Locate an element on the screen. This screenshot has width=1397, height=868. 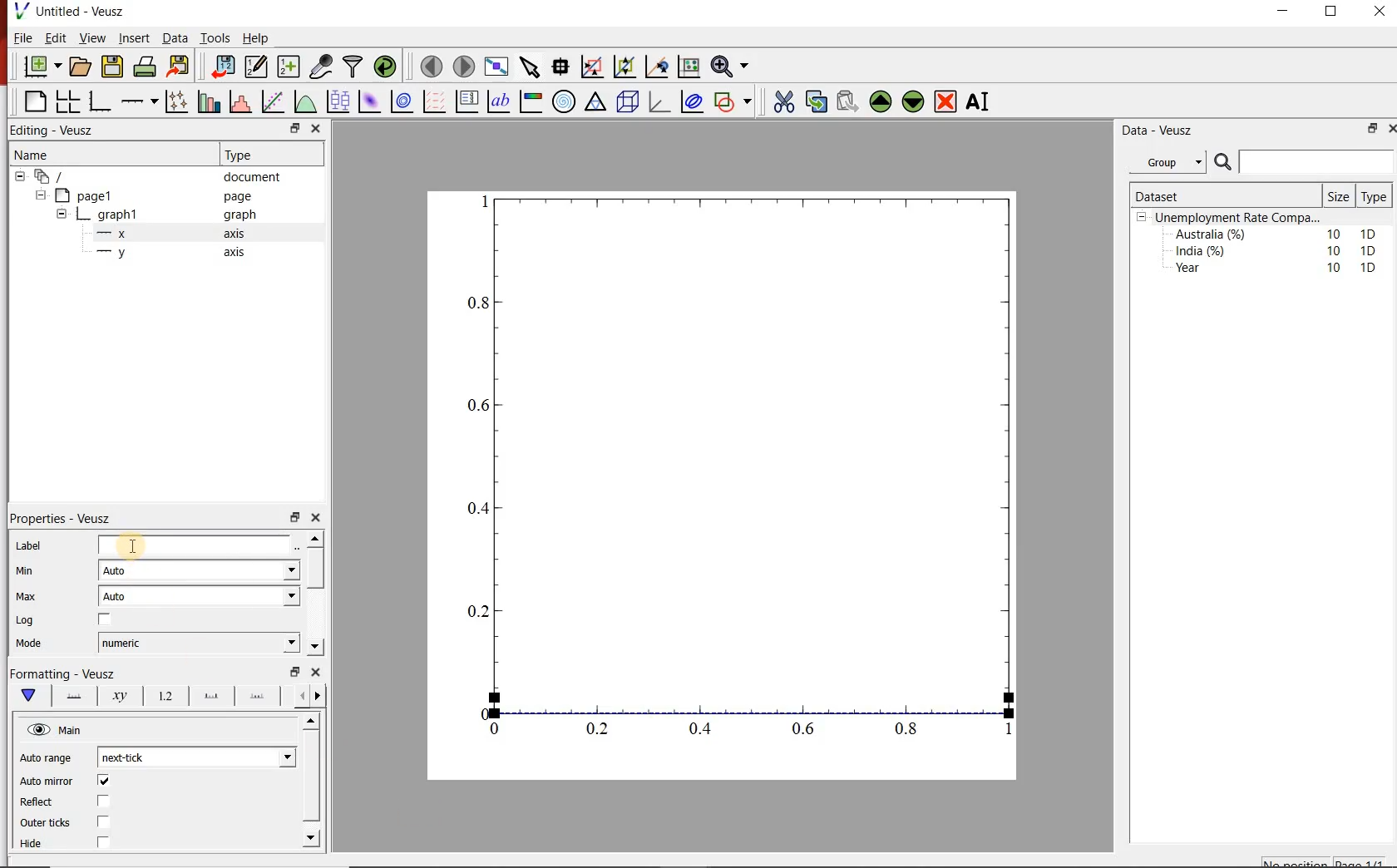
zoom funtions is located at coordinates (733, 65).